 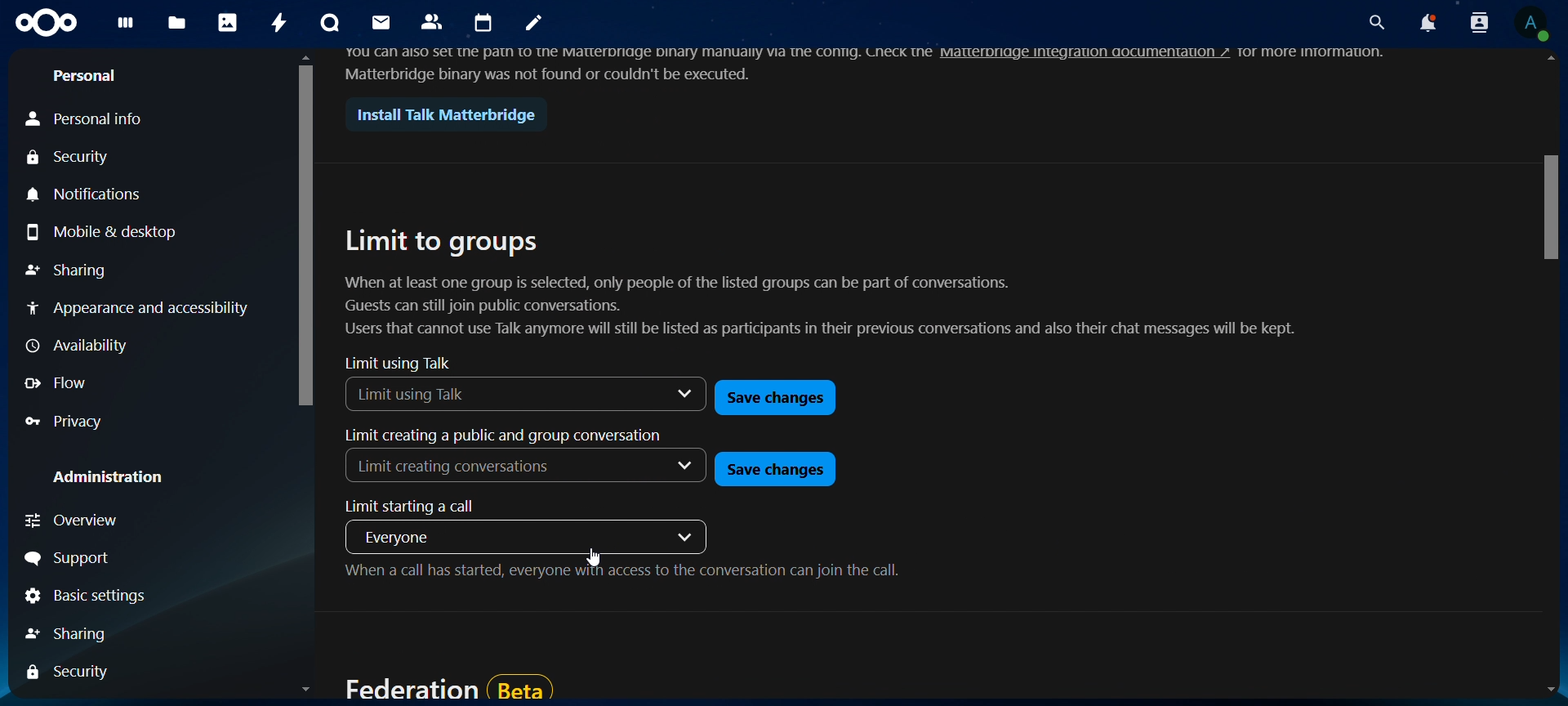 What do you see at coordinates (533, 25) in the screenshot?
I see `notes` at bounding box center [533, 25].